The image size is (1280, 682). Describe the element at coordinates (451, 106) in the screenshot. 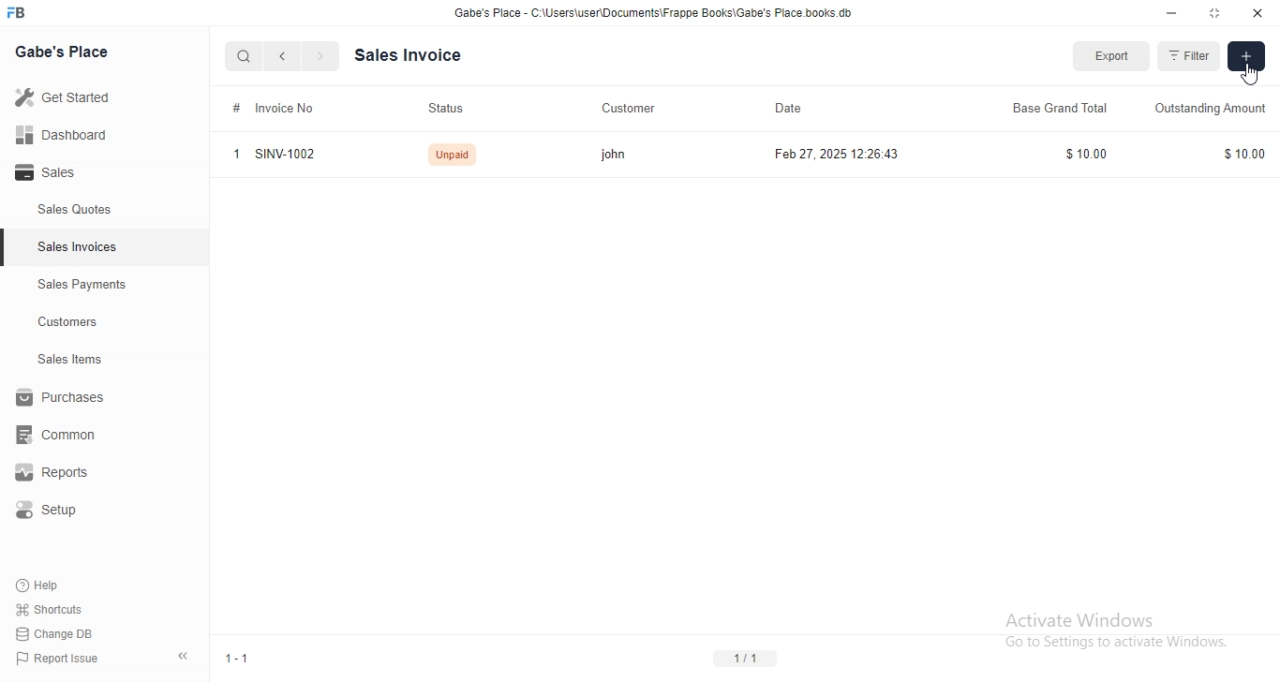

I see `Status` at that location.